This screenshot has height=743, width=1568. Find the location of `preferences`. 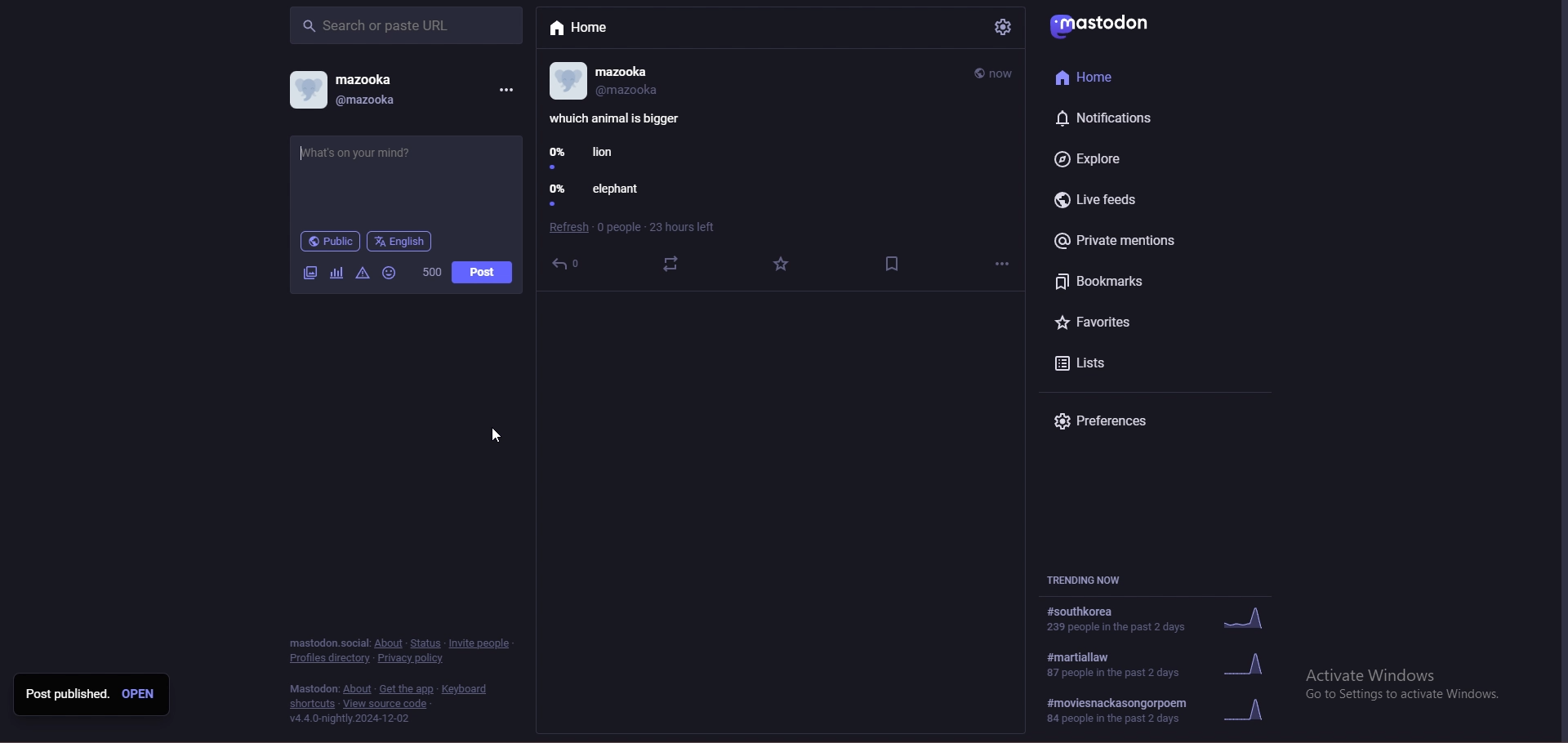

preferences is located at coordinates (1119, 422).